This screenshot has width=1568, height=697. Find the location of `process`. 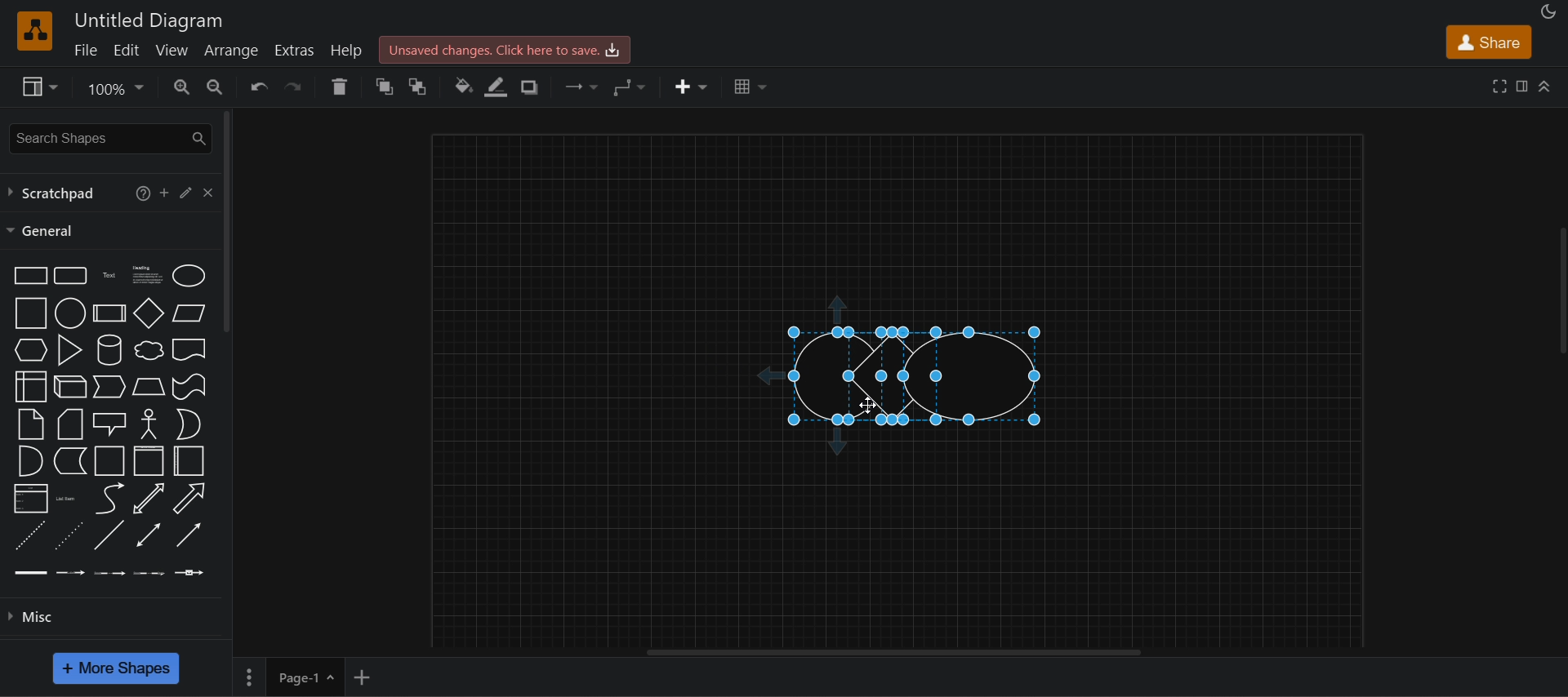

process is located at coordinates (109, 313).